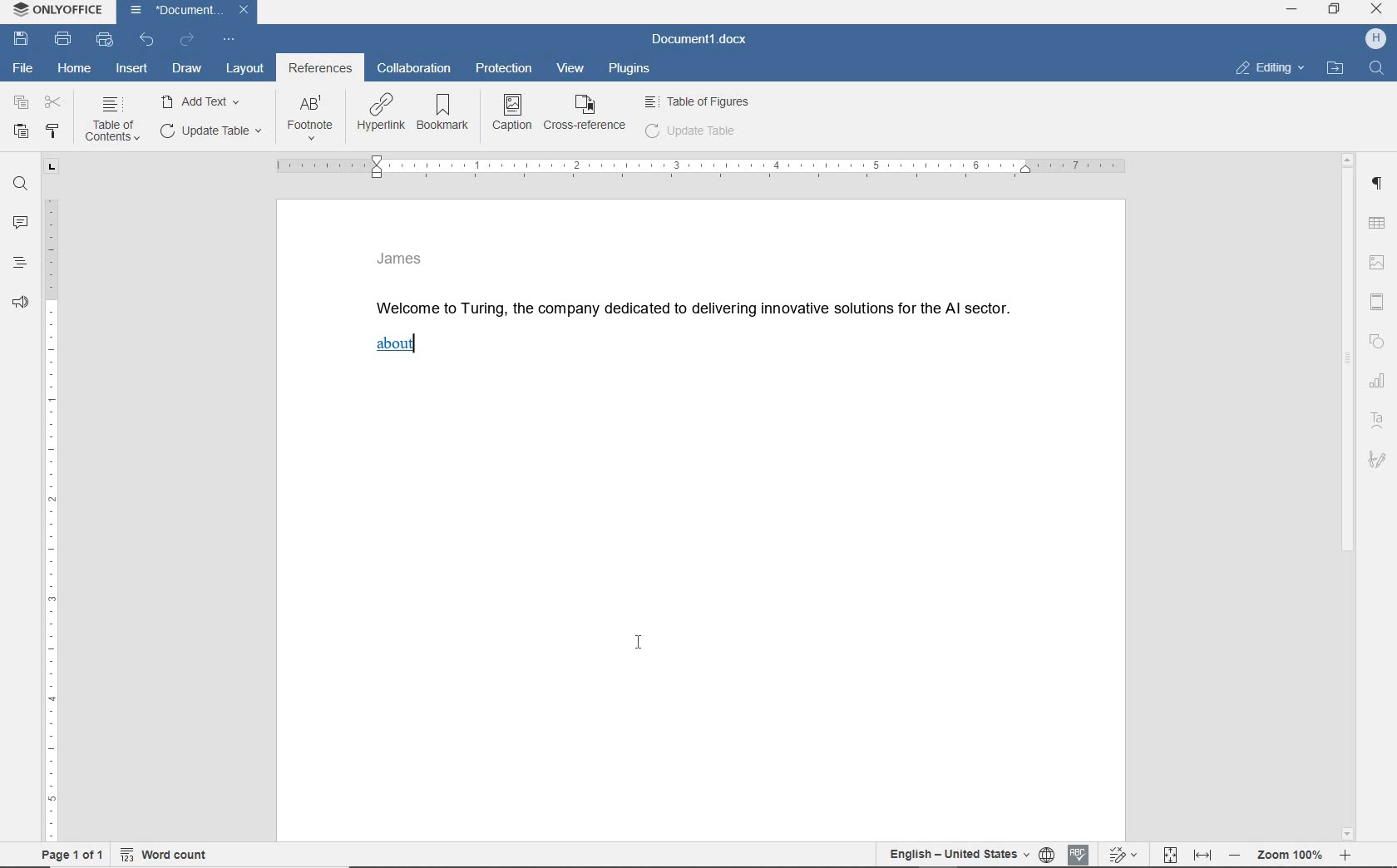 The width and height of the screenshot is (1397, 868). What do you see at coordinates (1079, 854) in the screenshot?
I see `spell checking` at bounding box center [1079, 854].